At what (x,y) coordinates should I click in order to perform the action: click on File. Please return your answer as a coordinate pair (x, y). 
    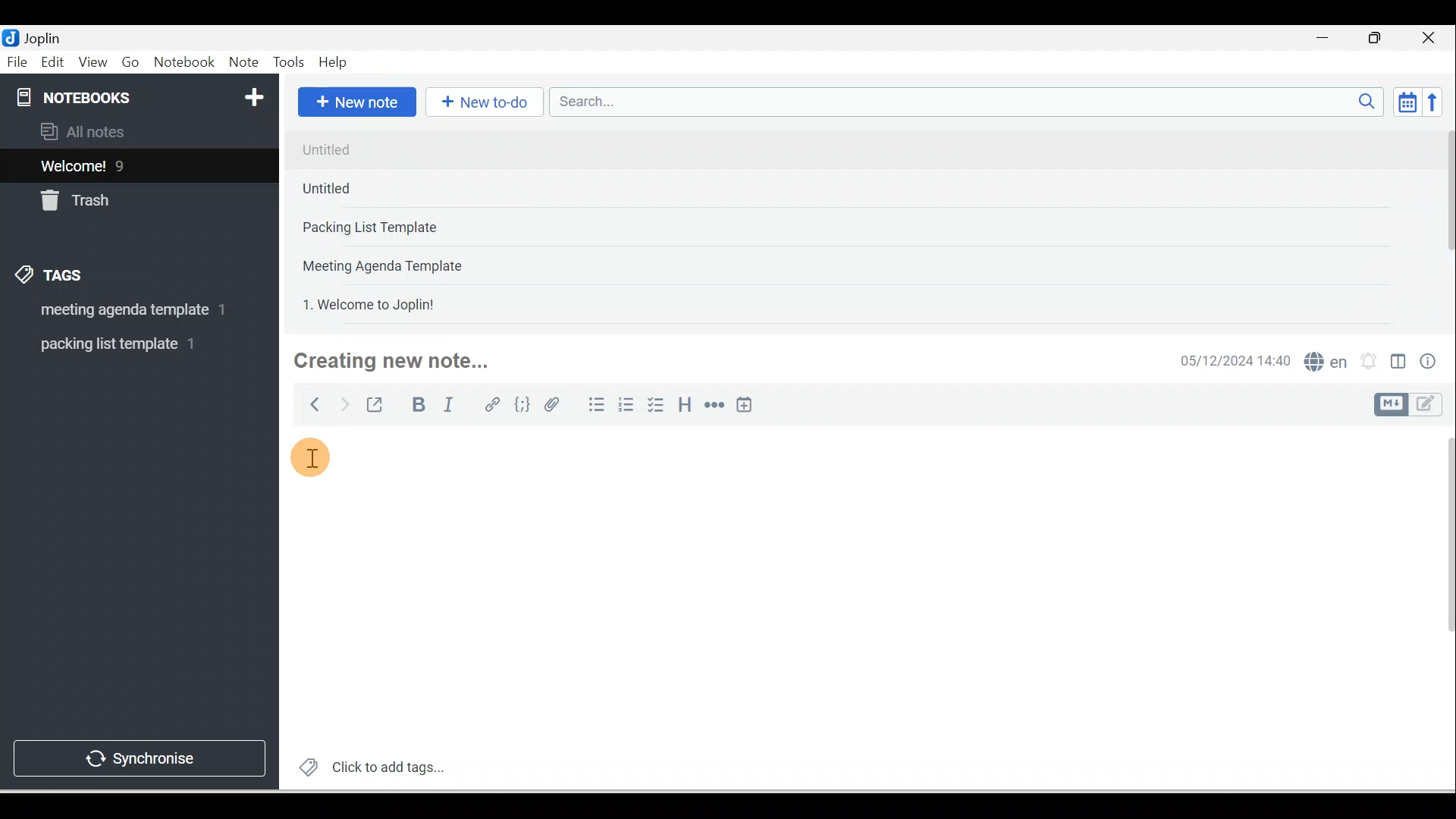
    Looking at the image, I should click on (18, 61).